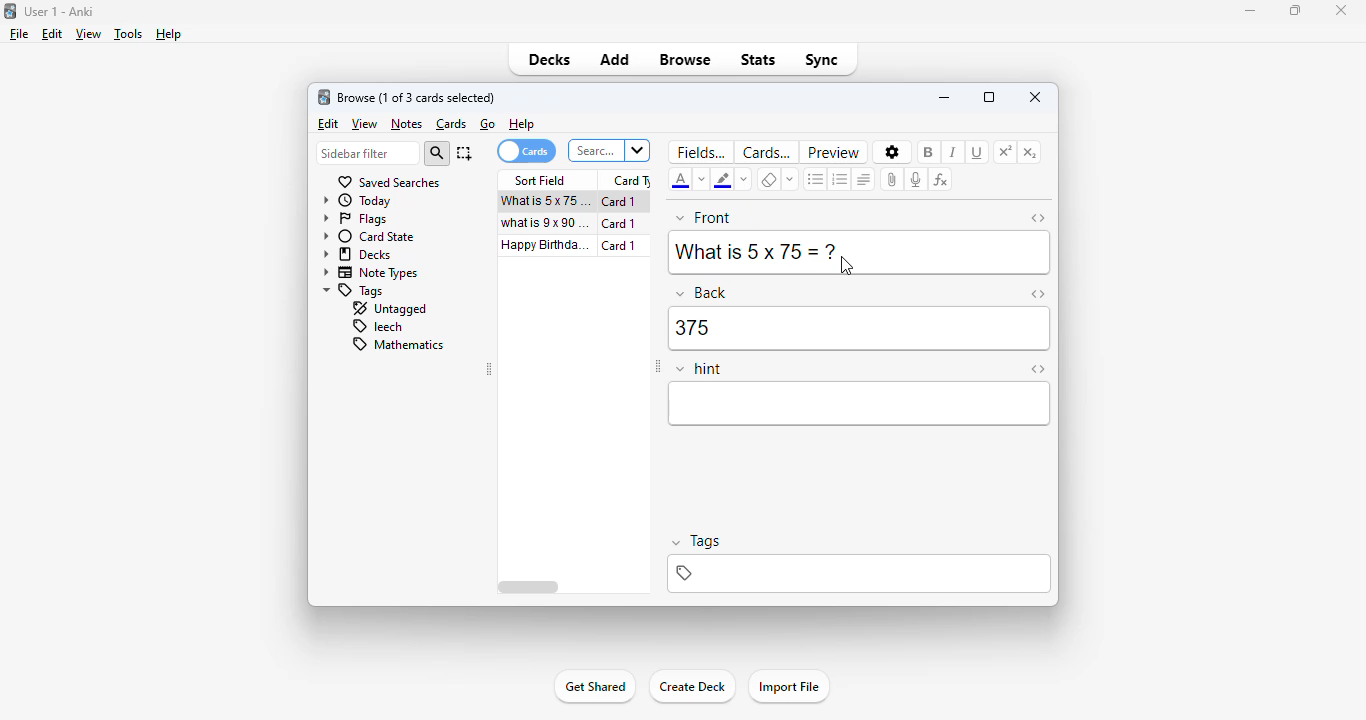 The image size is (1366, 720). Describe the element at coordinates (917, 179) in the screenshot. I see `record audio` at that location.